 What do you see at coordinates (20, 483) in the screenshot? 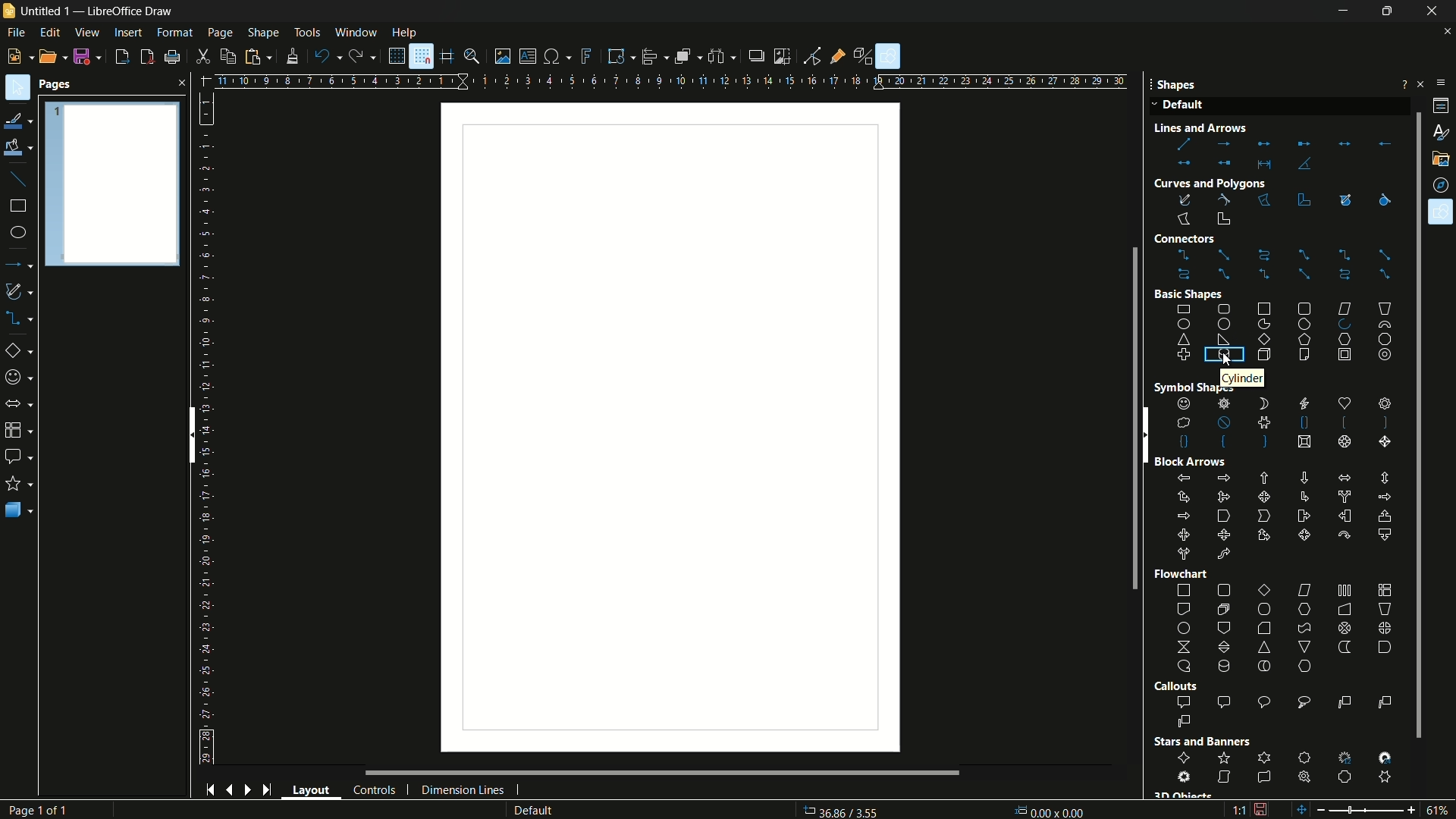
I see `stars and banners` at bounding box center [20, 483].